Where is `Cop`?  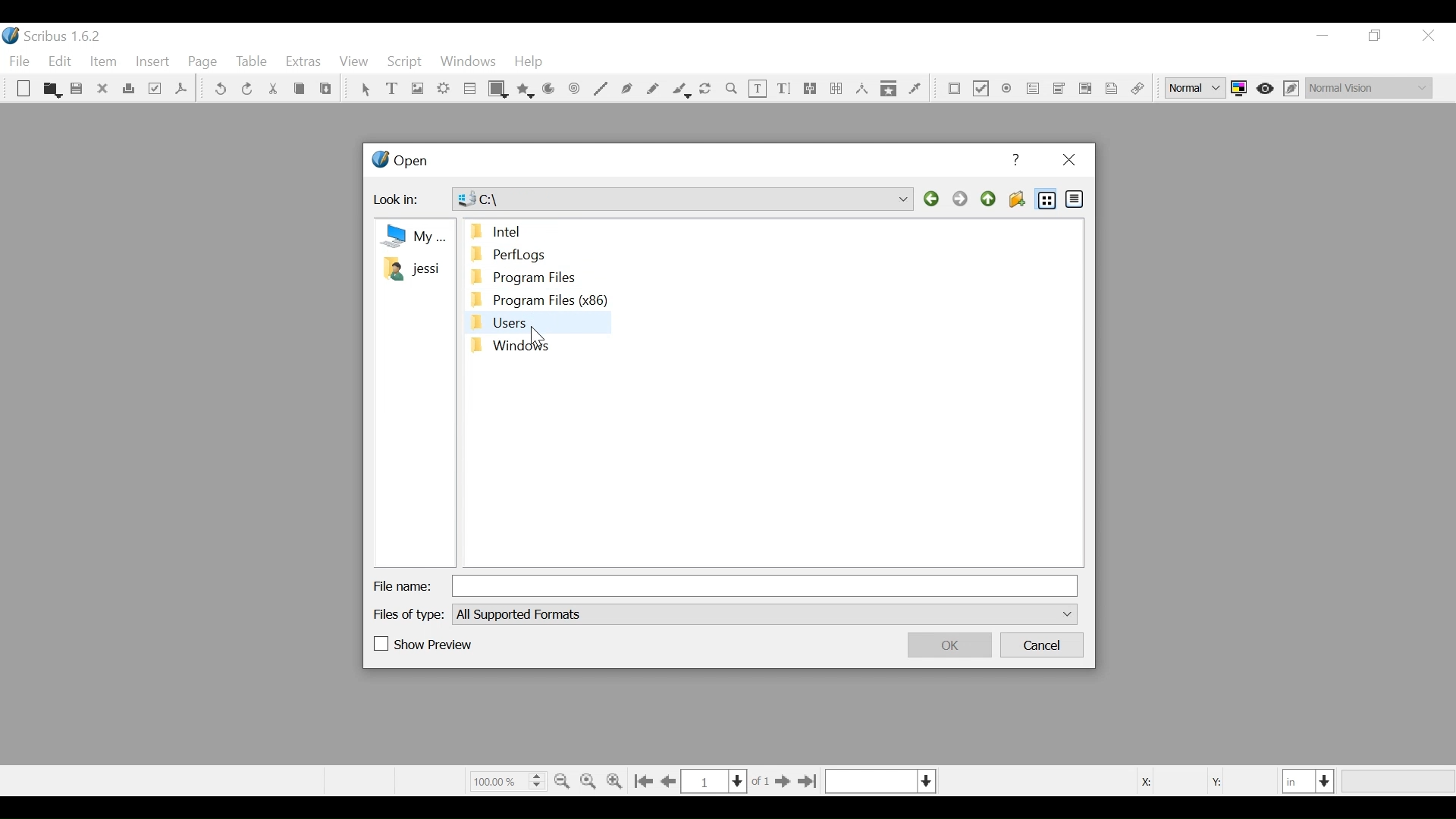 Cop is located at coordinates (299, 90).